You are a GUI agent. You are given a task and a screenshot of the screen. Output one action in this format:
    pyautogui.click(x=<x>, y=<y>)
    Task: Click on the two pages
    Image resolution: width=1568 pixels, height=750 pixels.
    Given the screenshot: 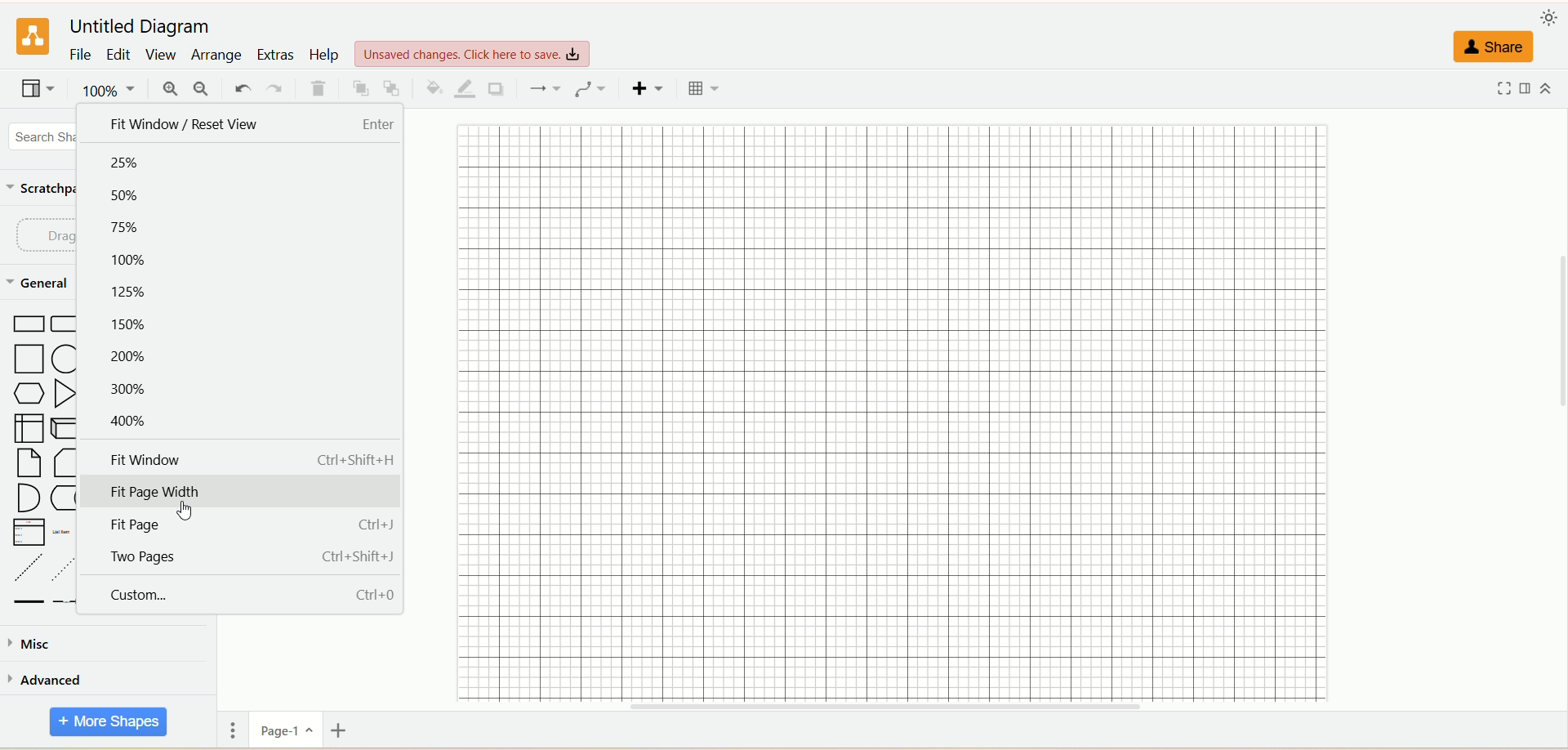 What is the action you would take?
    pyautogui.click(x=238, y=560)
    